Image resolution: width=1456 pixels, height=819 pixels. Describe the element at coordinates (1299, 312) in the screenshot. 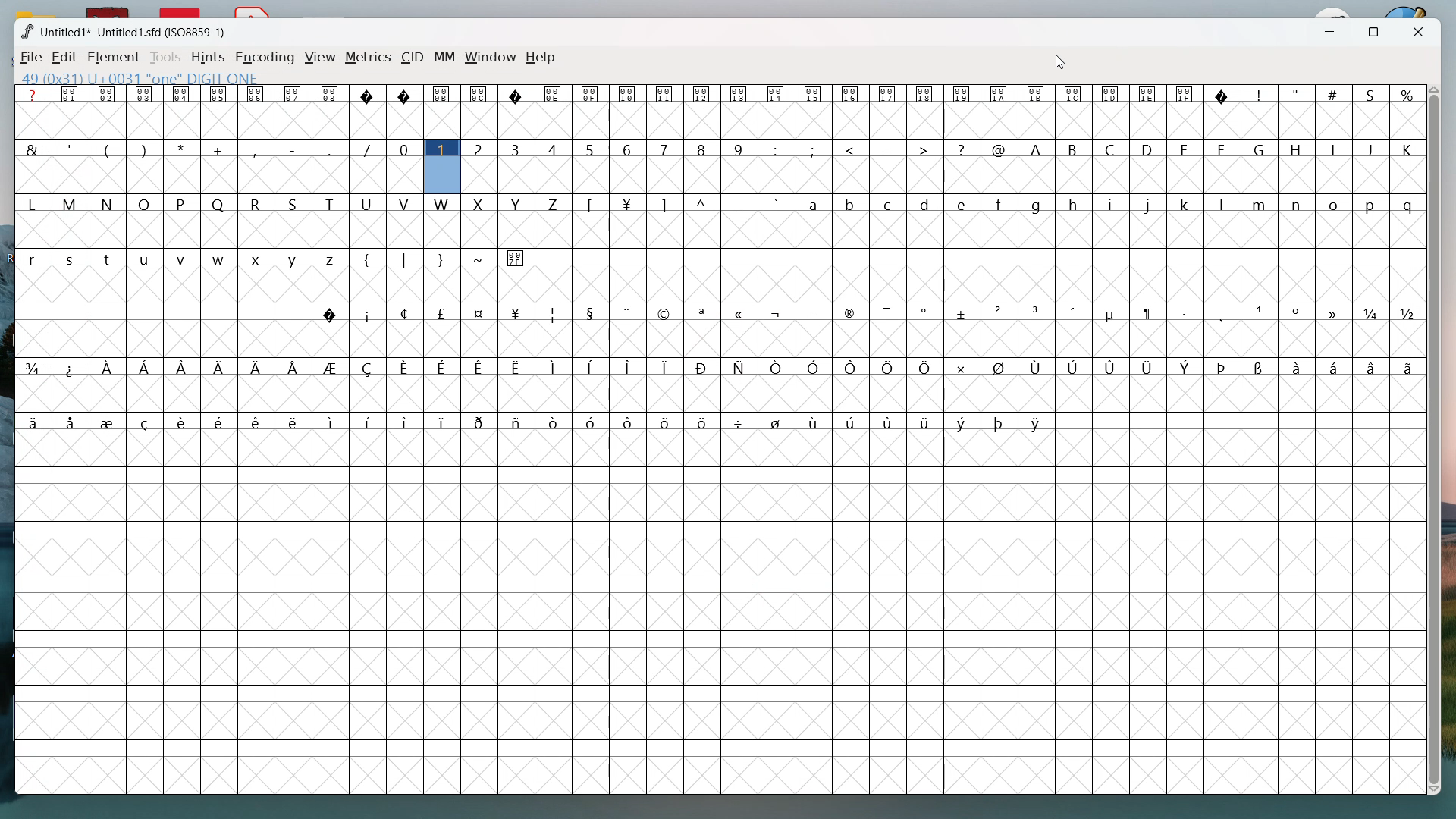

I see `symbol` at that location.